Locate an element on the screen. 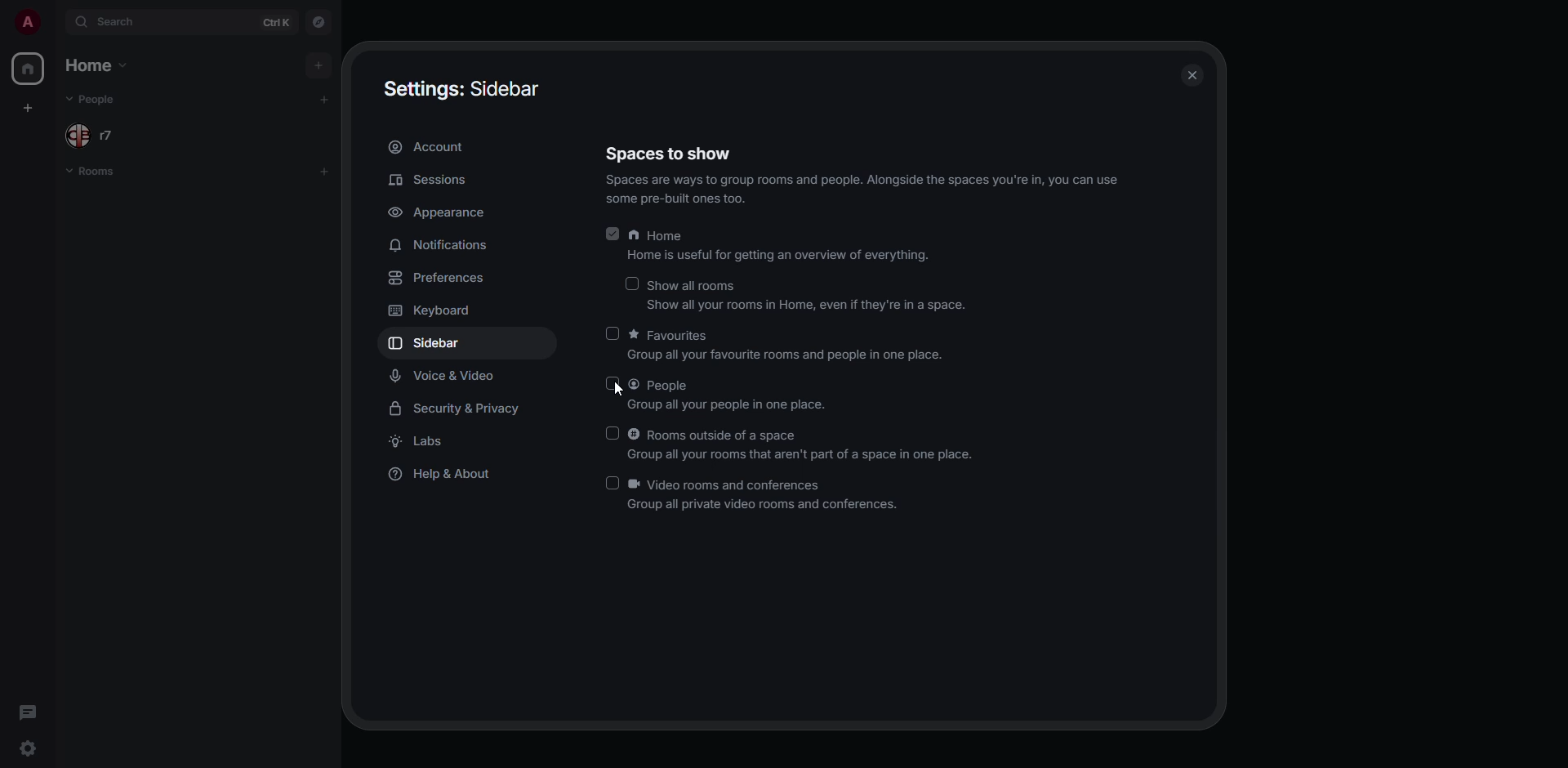 The height and width of the screenshot is (768, 1568). home is located at coordinates (95, 64).